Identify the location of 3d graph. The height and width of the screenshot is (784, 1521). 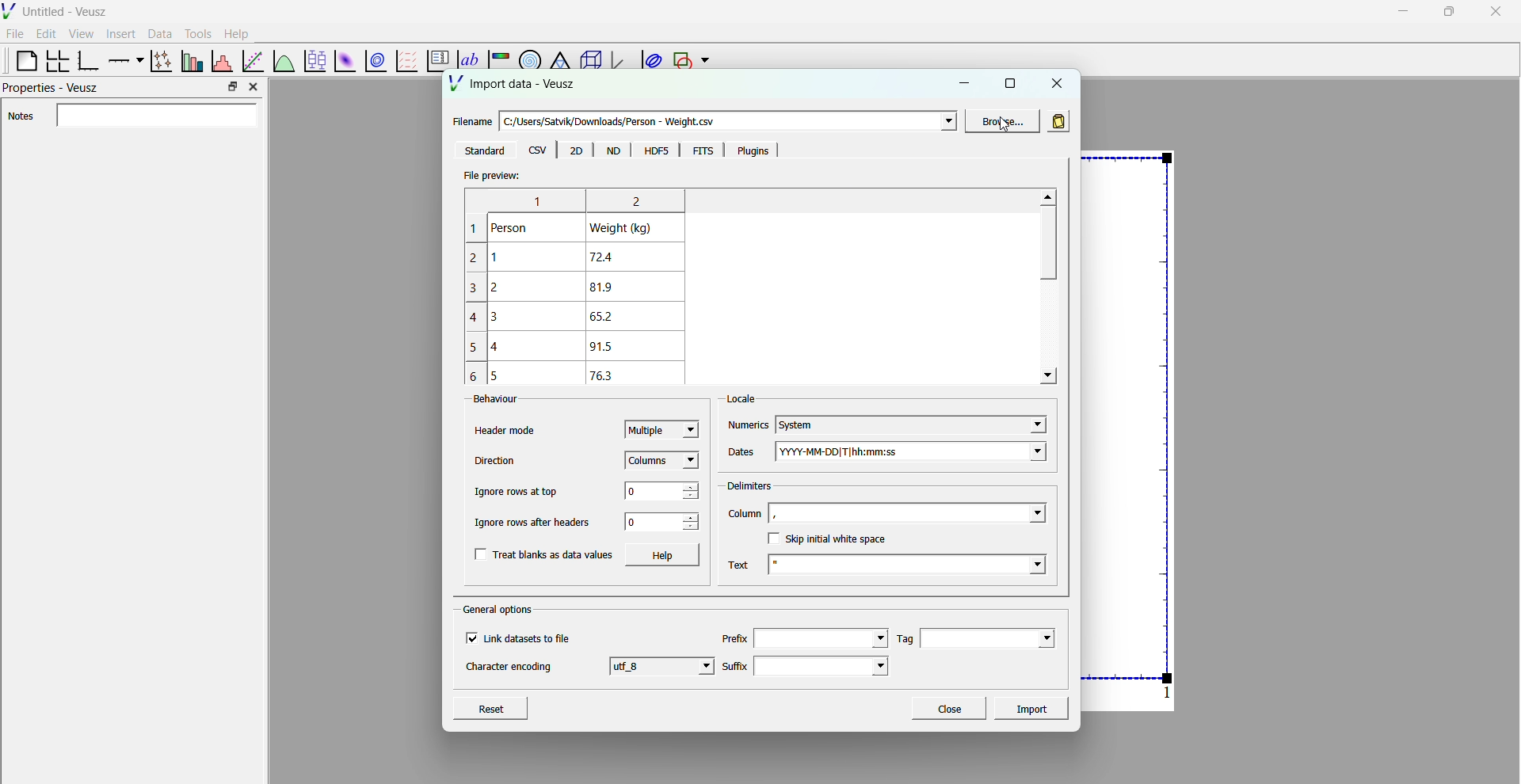
(619, 63).